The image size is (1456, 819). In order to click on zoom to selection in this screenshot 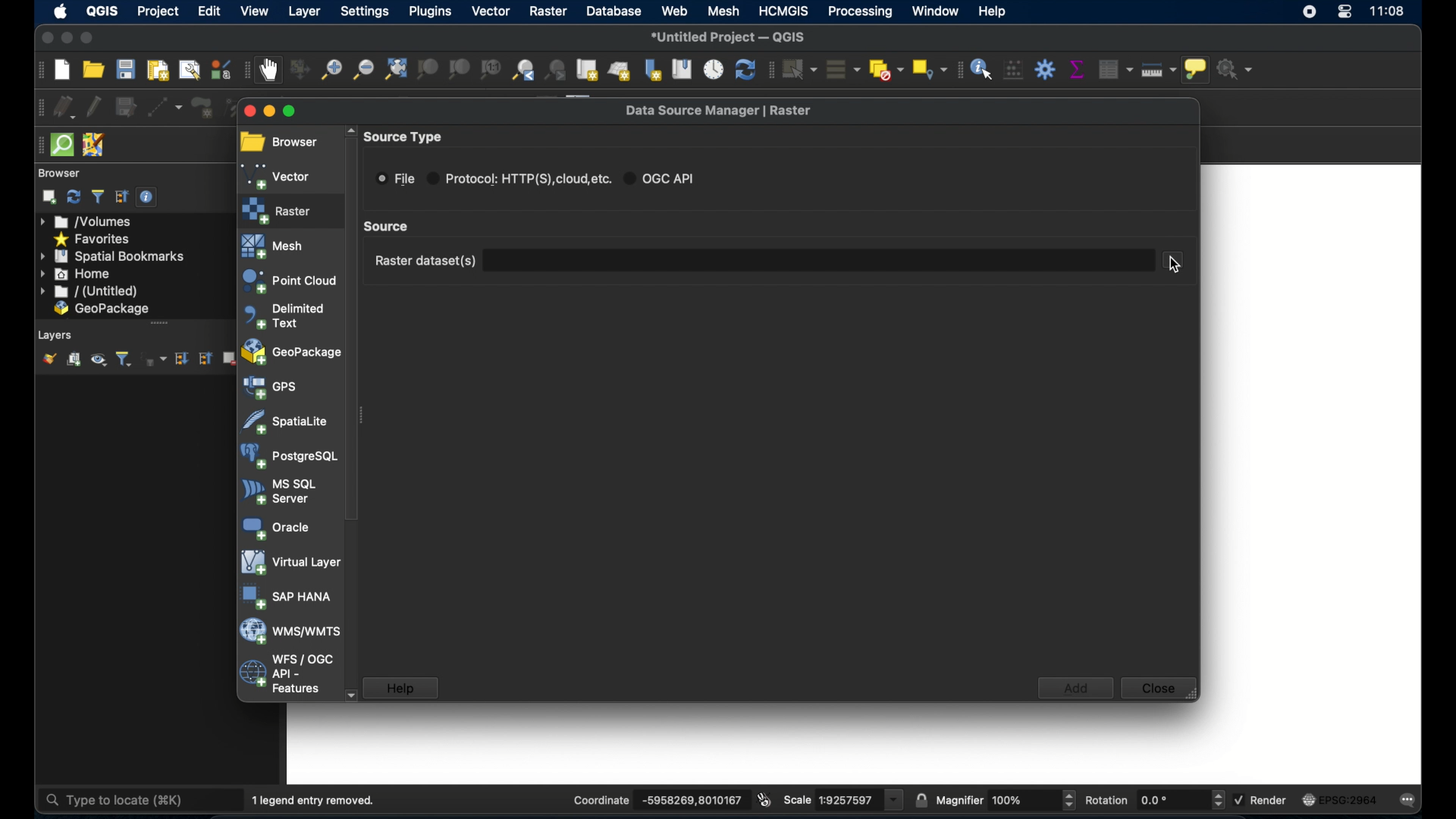, I will do `click(427, 69)`.